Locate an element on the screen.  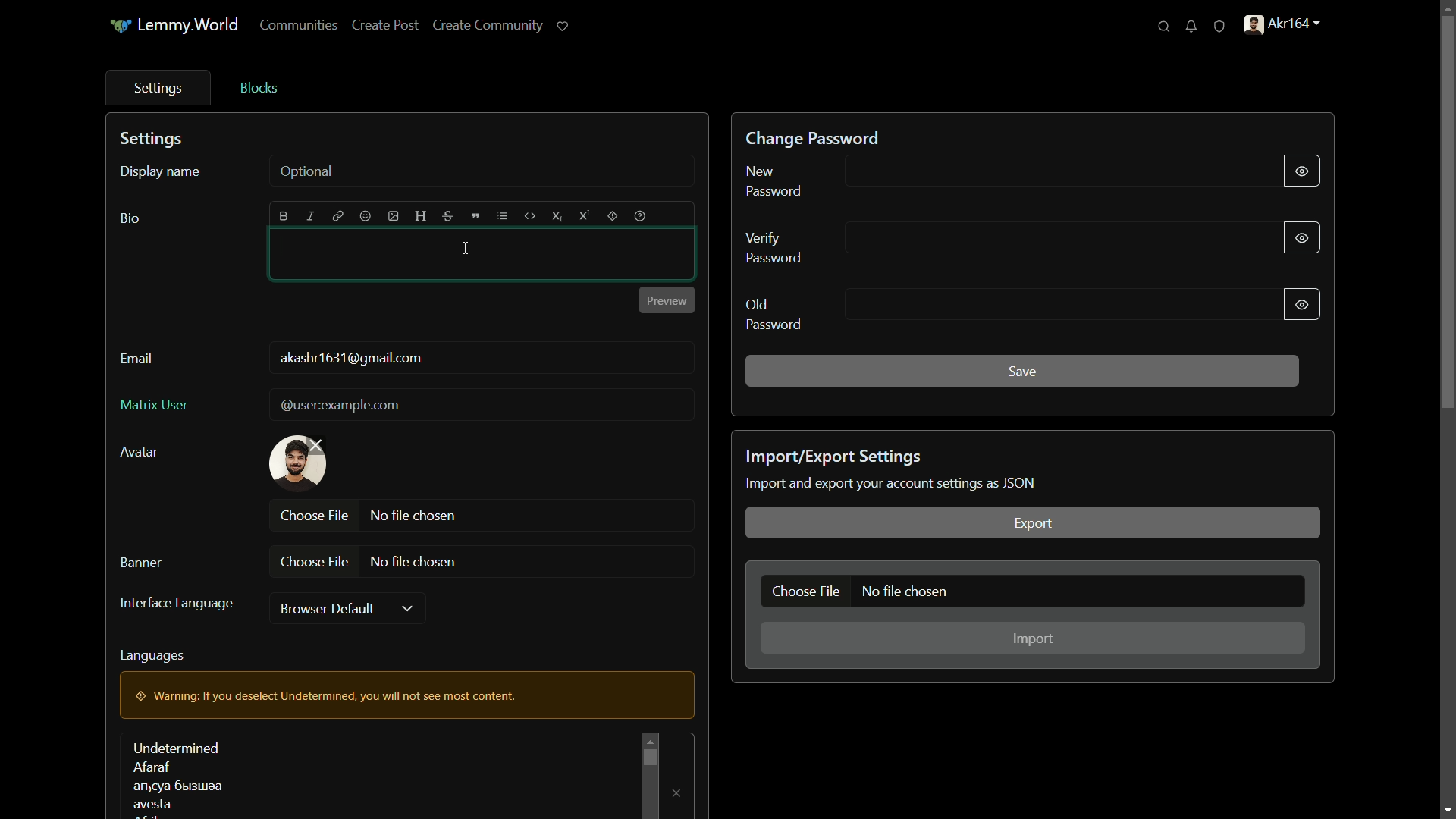
text is located at coordinates (896, 482).